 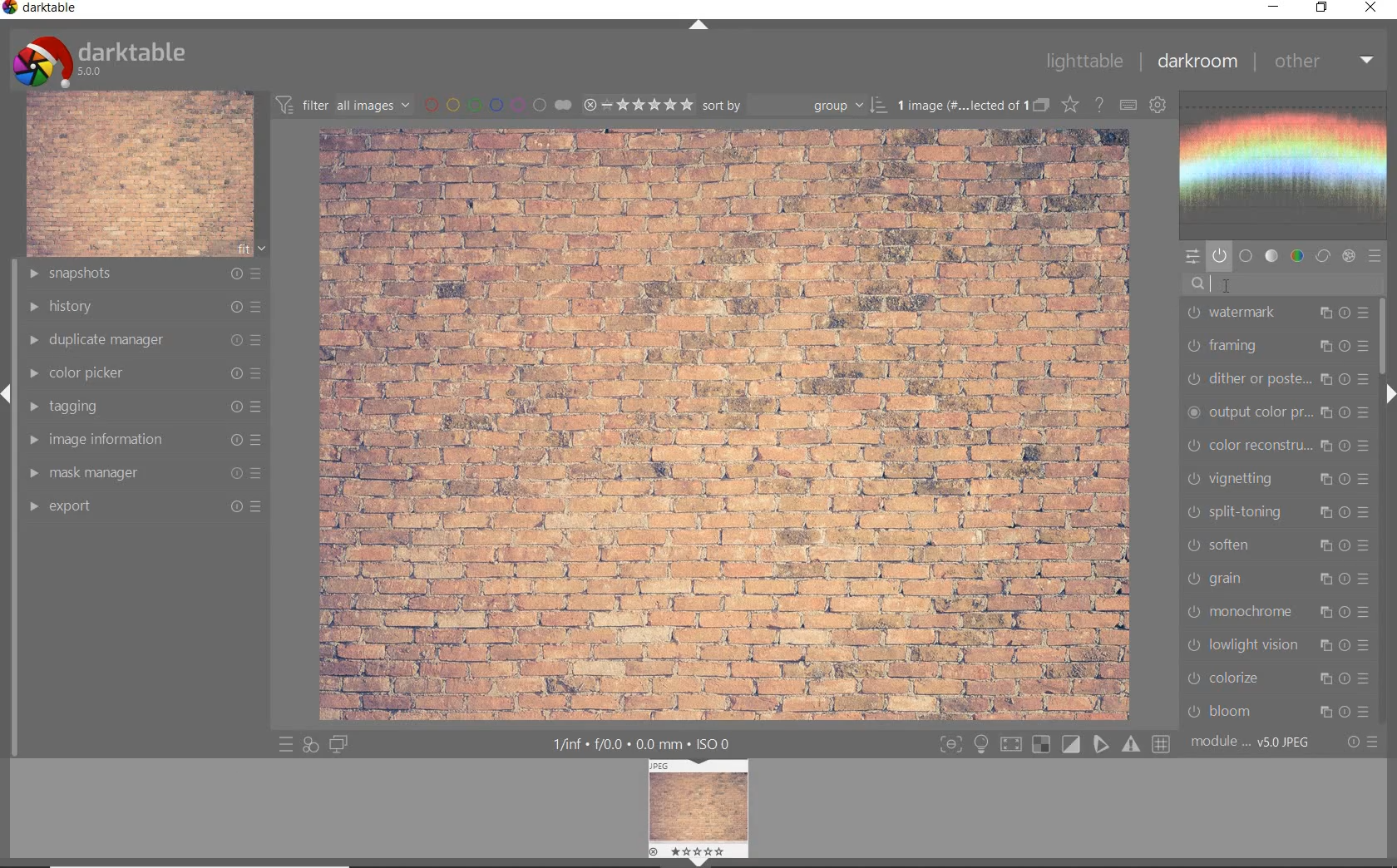 I want to click on grain, so click(x=1281, y=581).